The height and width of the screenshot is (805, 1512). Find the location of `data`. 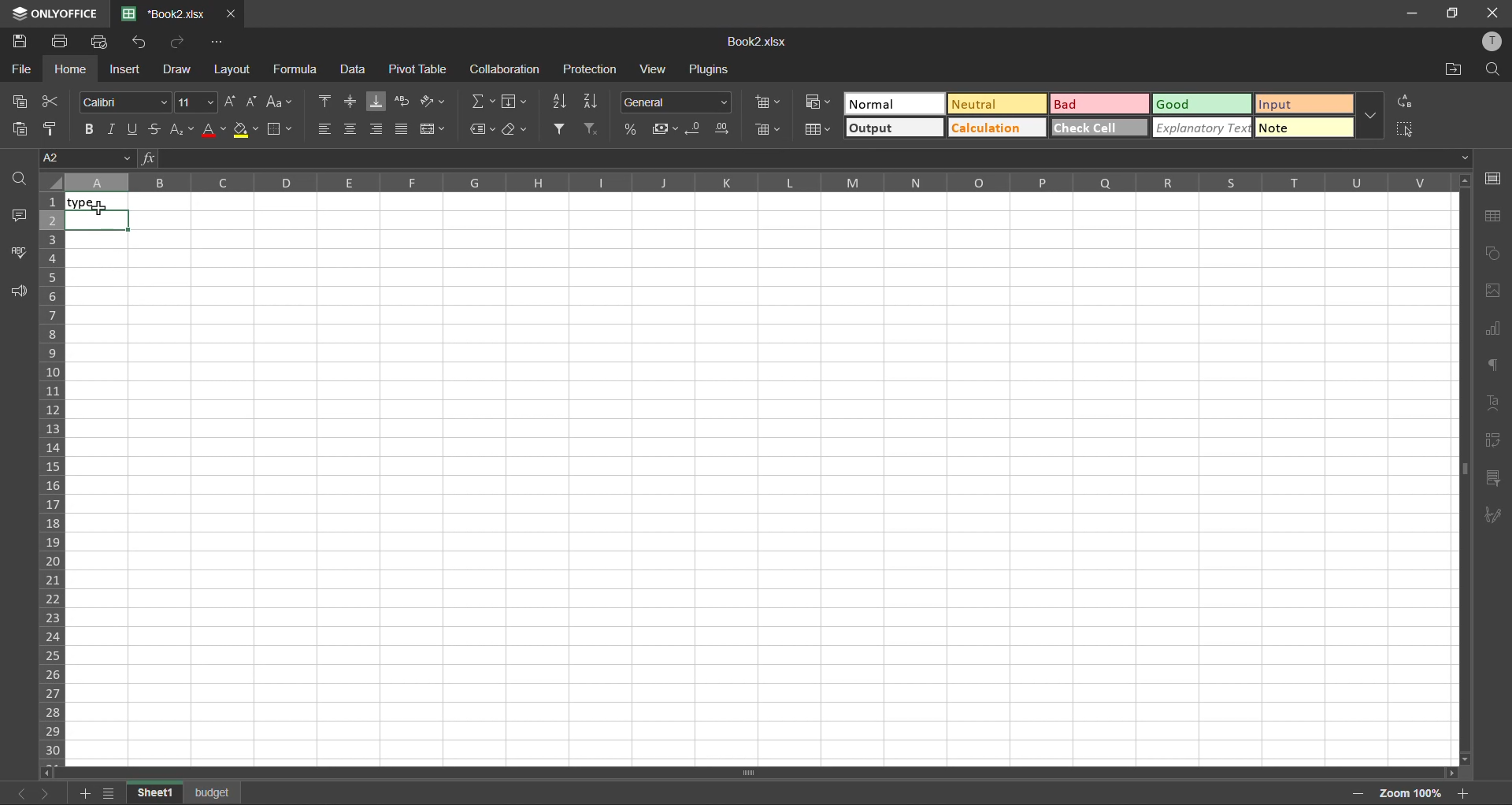

data is located at coordinates (358, 71).